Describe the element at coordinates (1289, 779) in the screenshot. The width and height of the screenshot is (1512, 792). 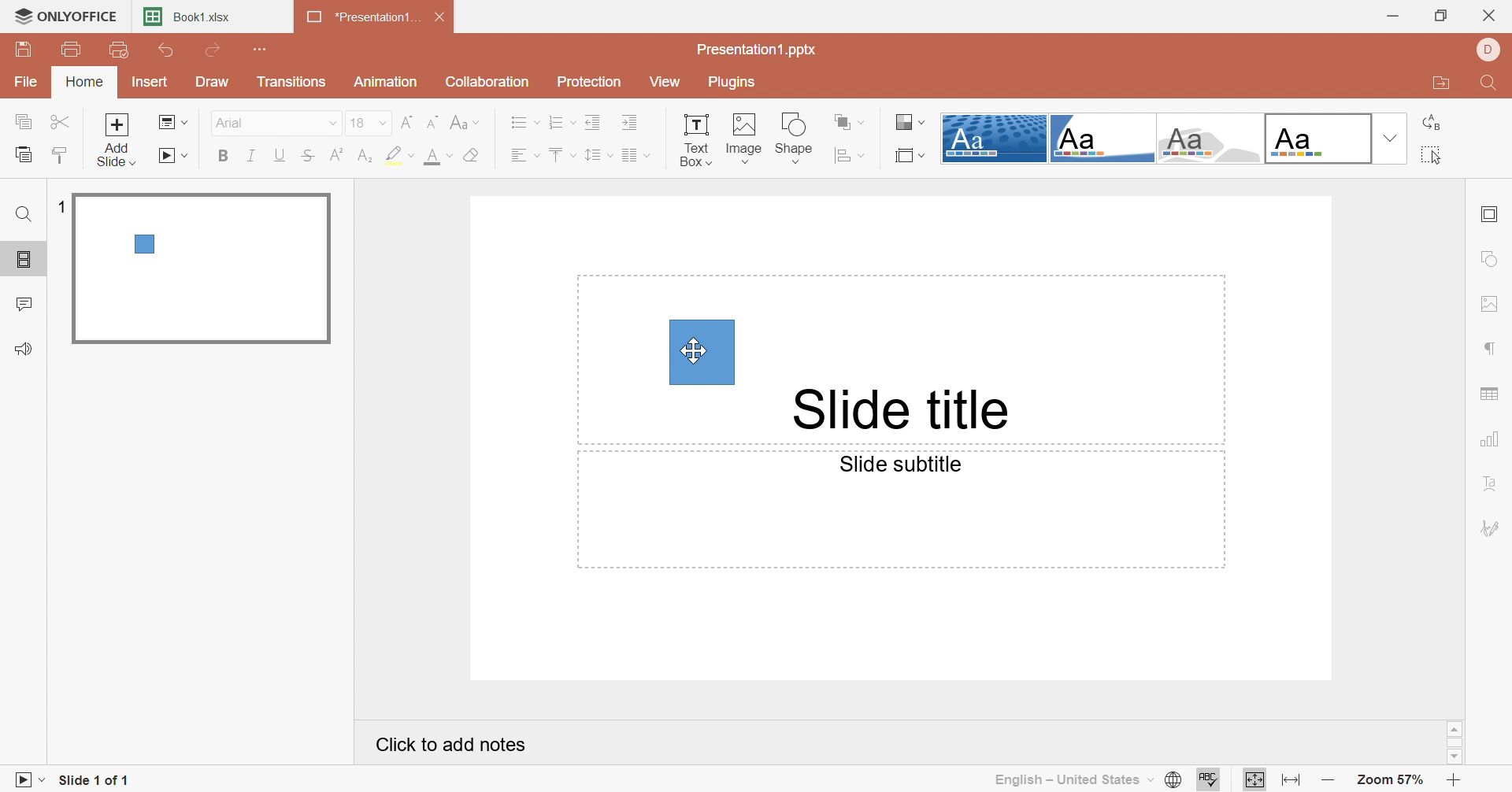
I see `Fit to width` at that location.